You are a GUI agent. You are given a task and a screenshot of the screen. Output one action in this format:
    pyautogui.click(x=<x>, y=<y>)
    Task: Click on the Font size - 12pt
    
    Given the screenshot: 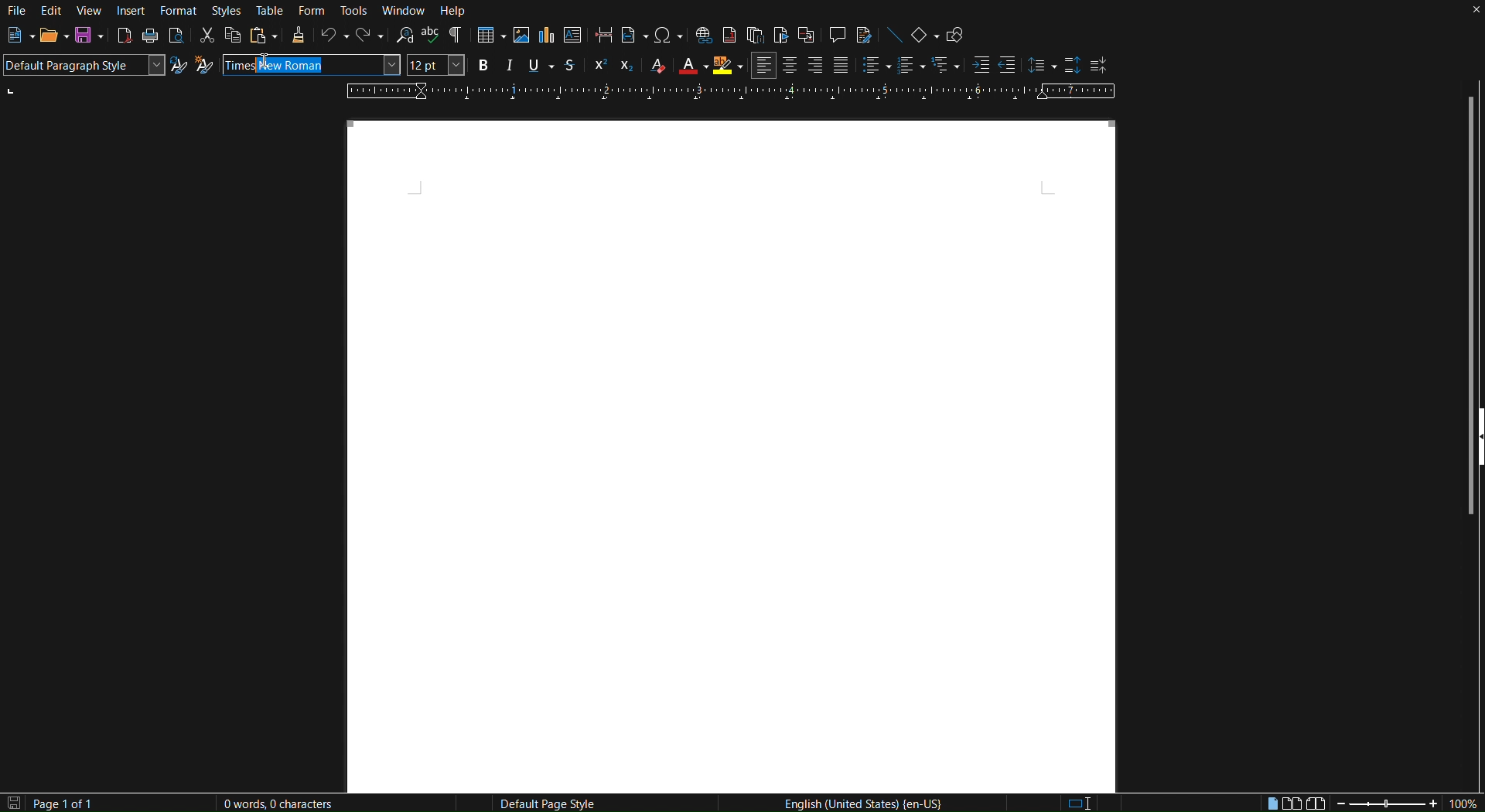 What is the action you would take?
    pyautogui.click(x=435, y=65)
    